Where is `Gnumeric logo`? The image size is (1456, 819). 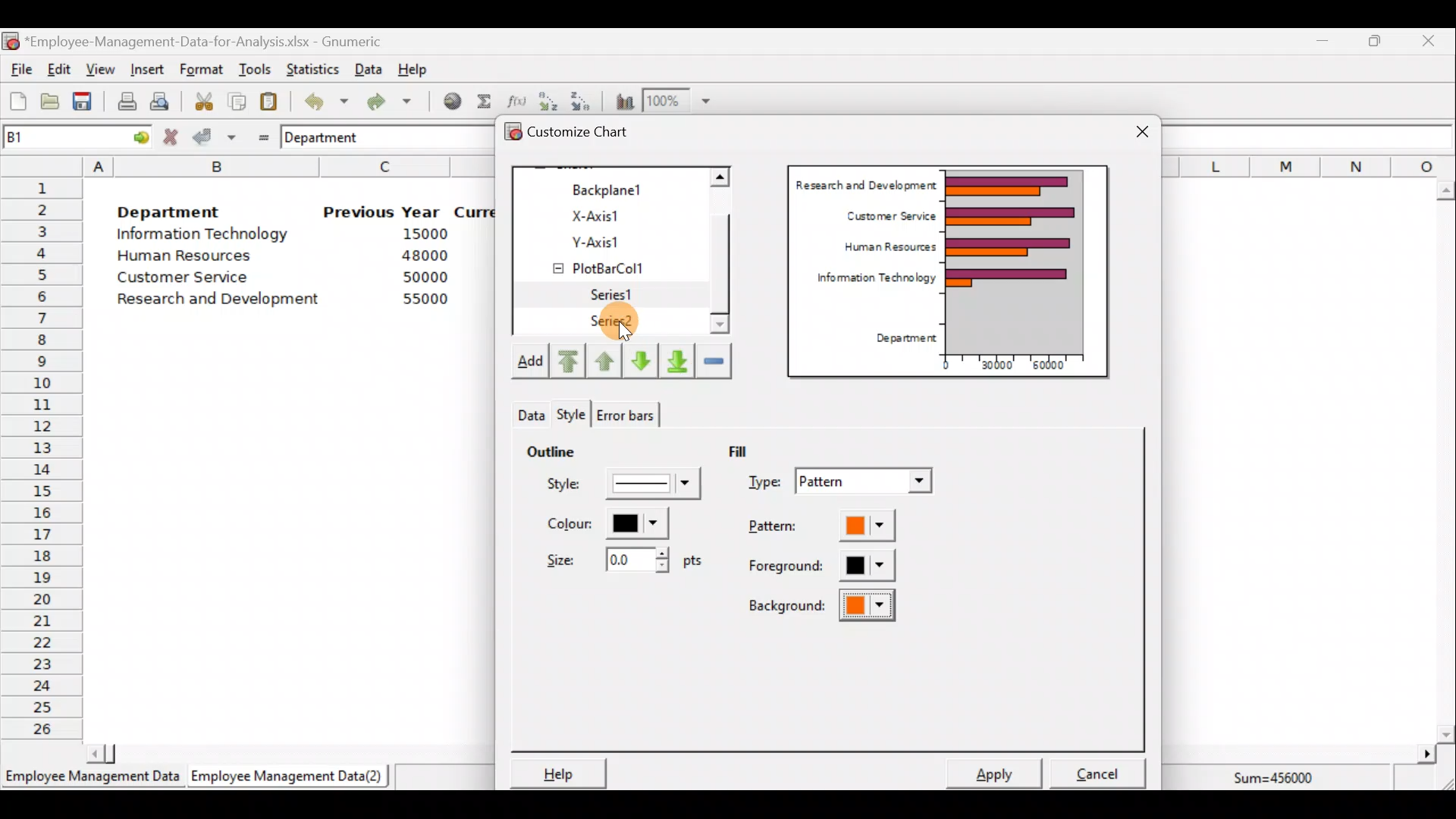
Gnumeric logo is located at coordinates (11, 42).